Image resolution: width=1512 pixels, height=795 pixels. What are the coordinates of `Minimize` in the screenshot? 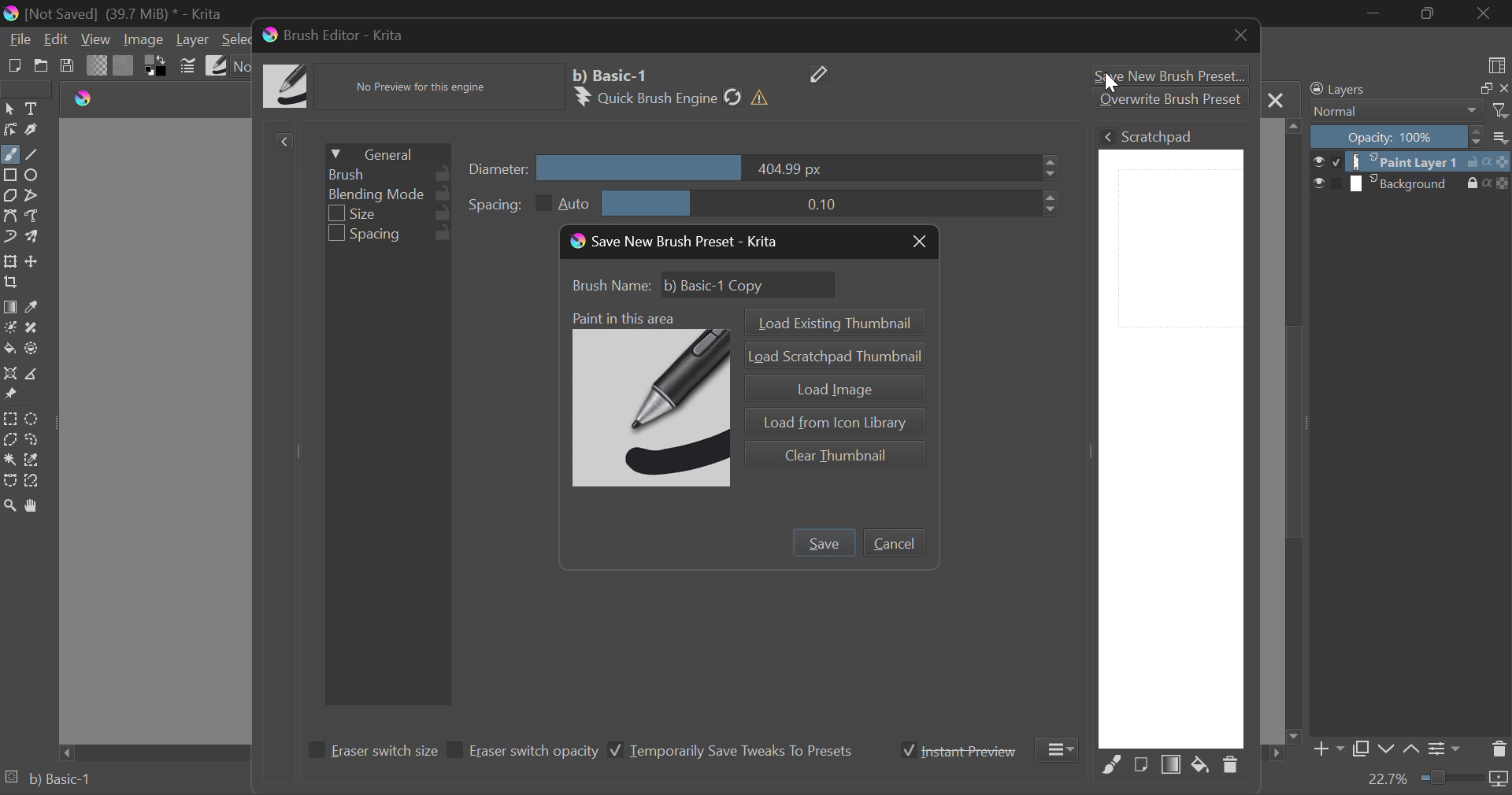 It's located at (1429, 13).